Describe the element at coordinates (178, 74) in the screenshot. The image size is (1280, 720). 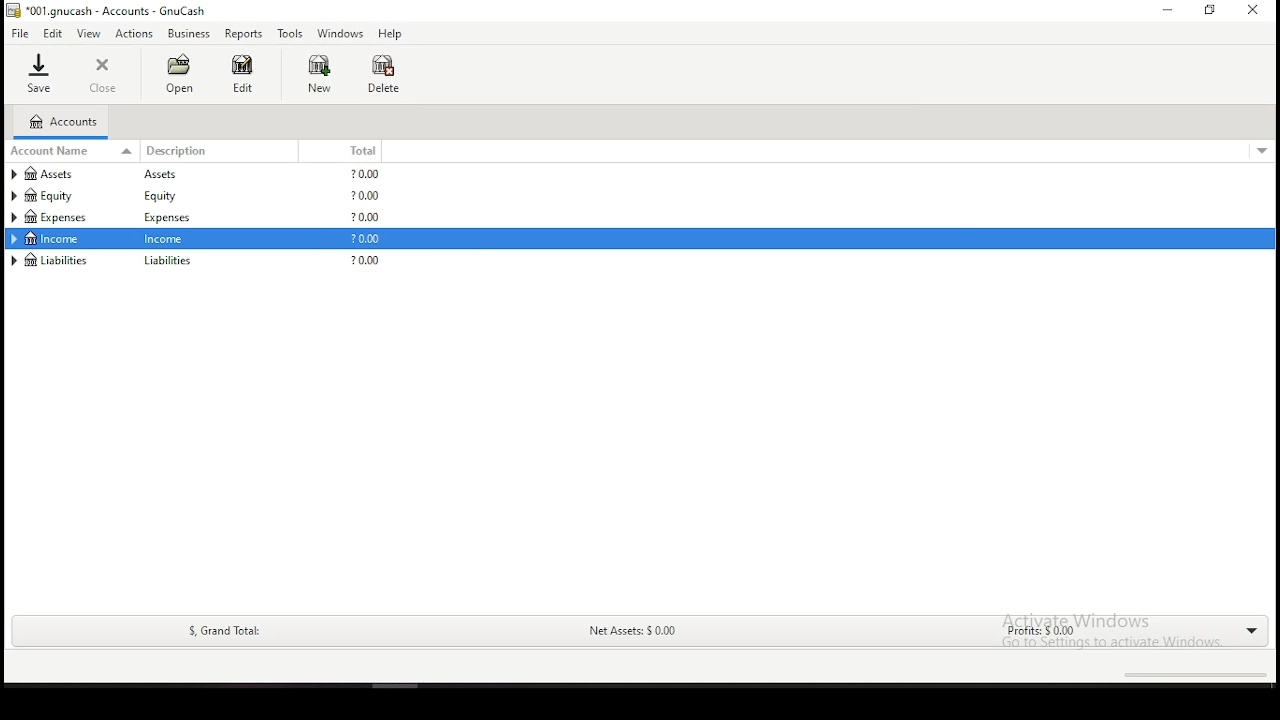
I see `open` at that location.